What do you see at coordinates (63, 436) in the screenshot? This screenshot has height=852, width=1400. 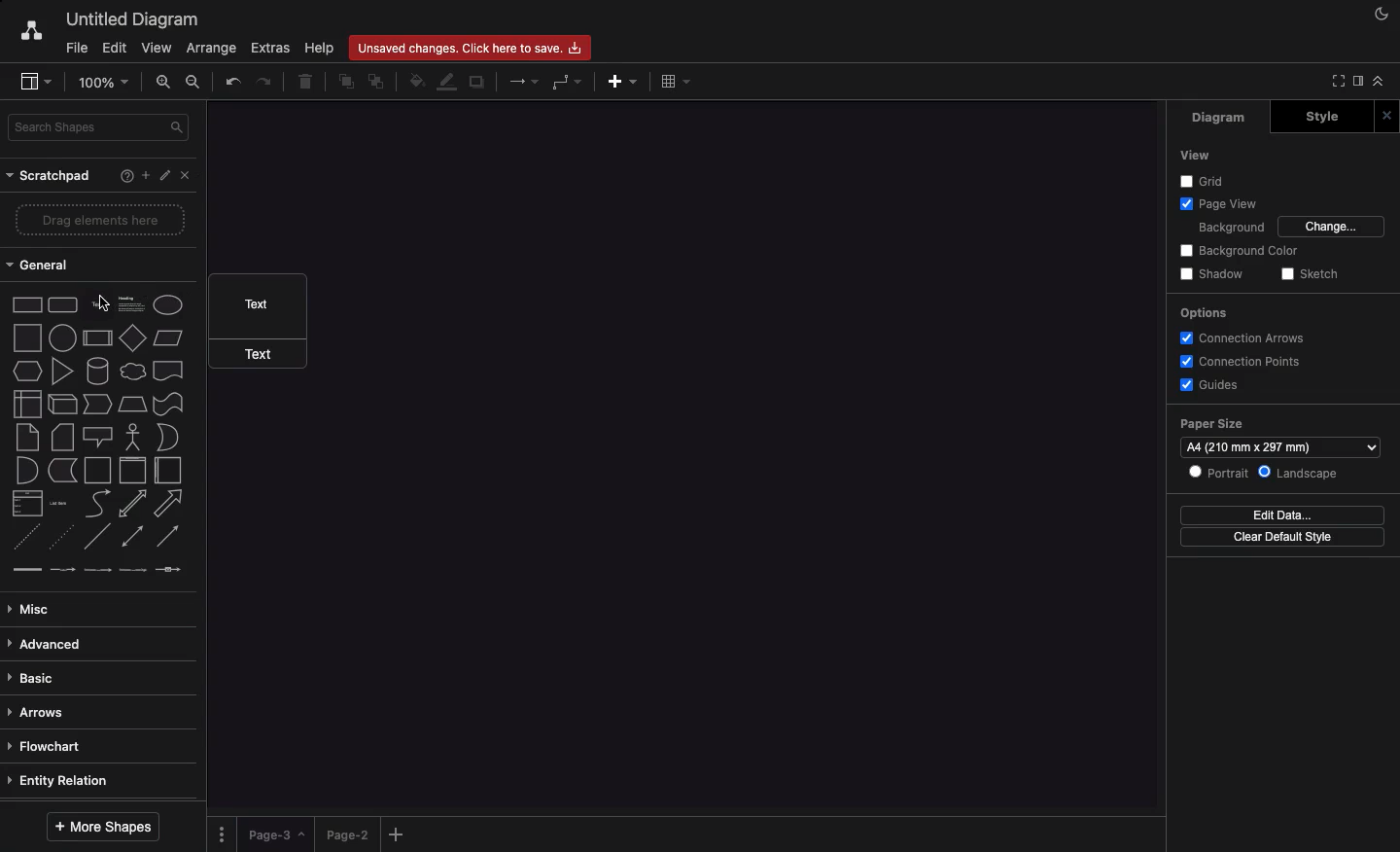 I see `card` at bounding box center [63, 436].